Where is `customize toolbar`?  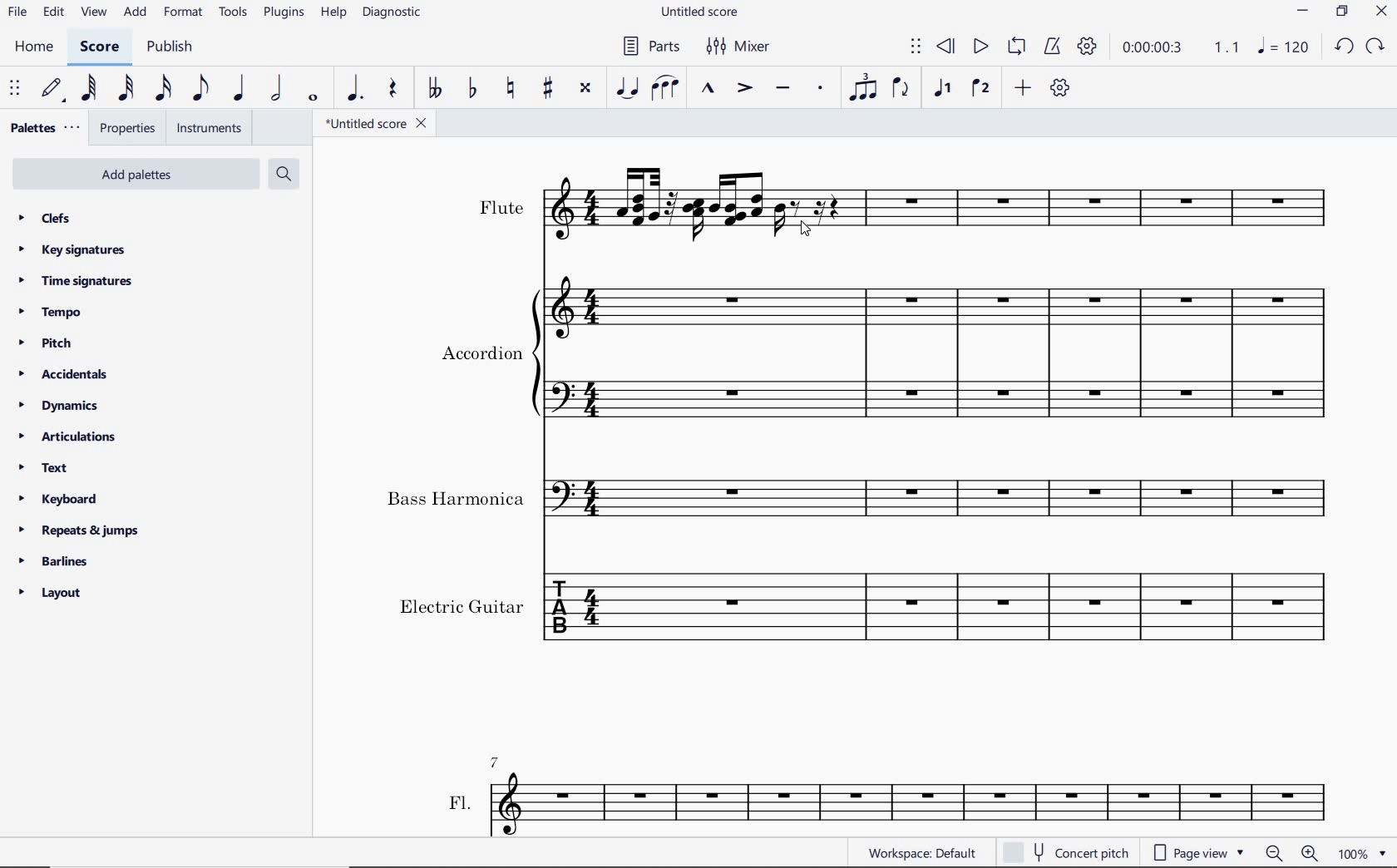
customize toolbar is located at coordinates (1061, 87).